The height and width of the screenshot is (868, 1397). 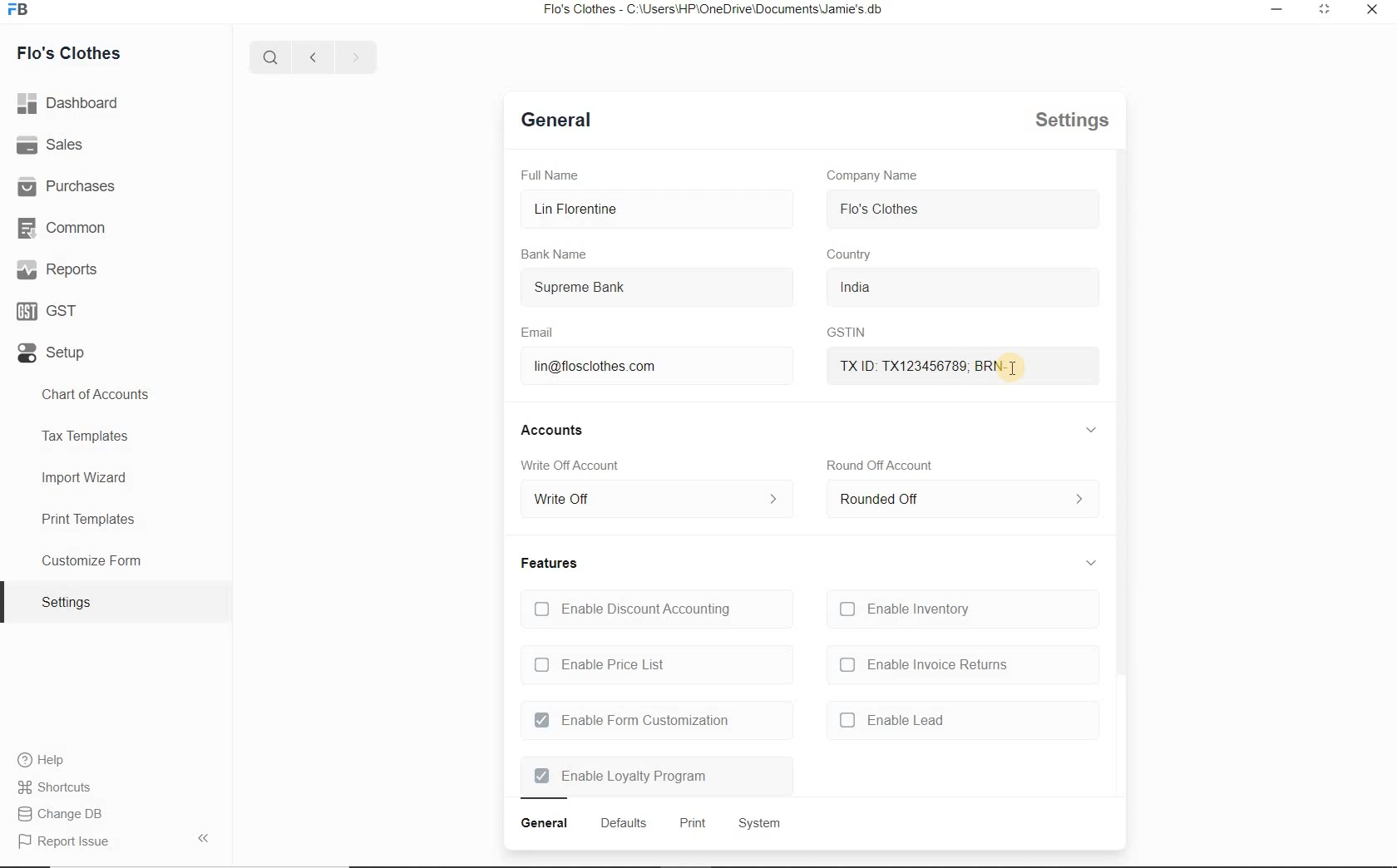 I want to click on Lin Florentine, so click(x=646, y=210).